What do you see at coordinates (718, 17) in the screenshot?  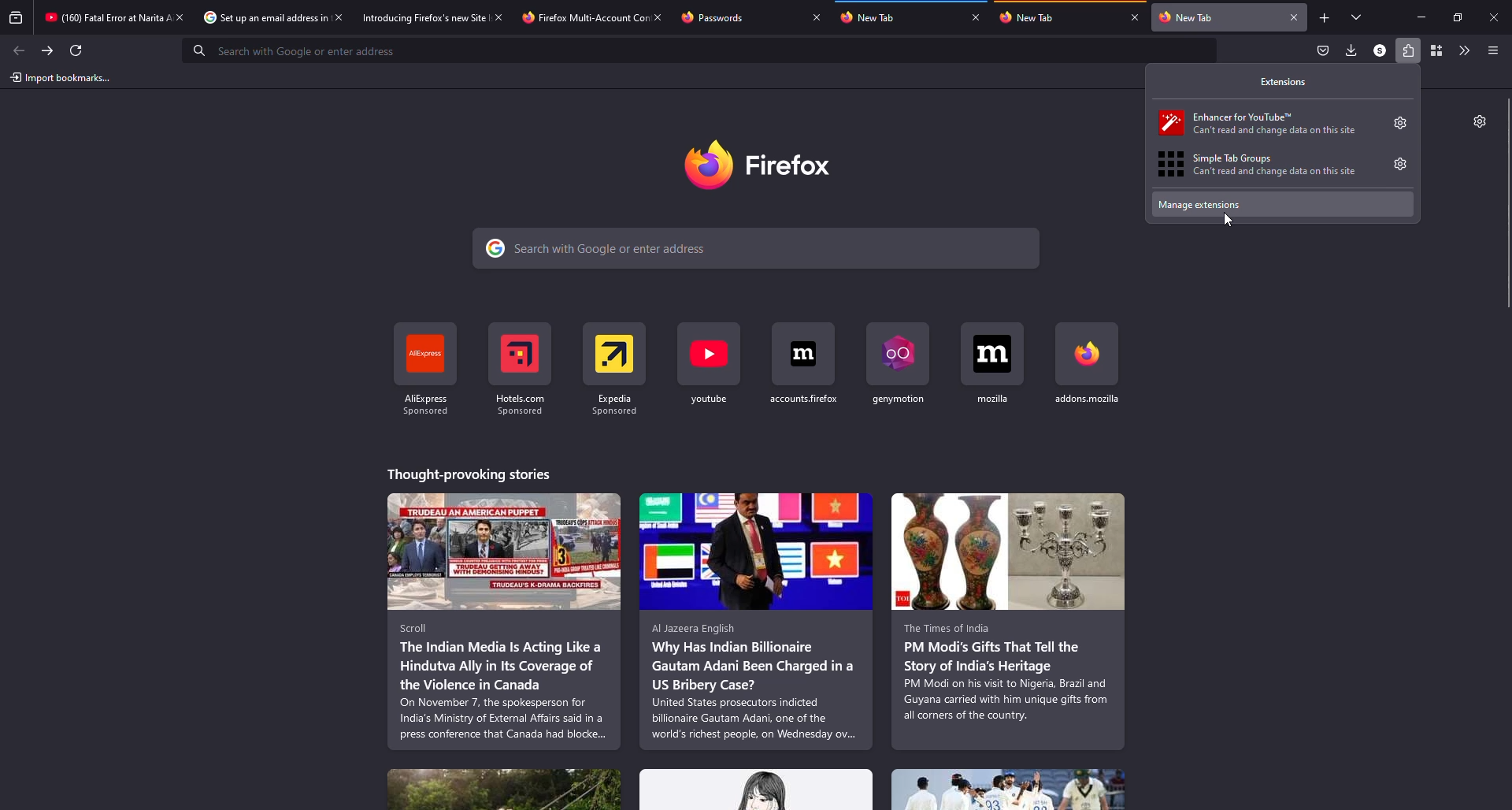 I see `tab` at bounding box center [718, 17].